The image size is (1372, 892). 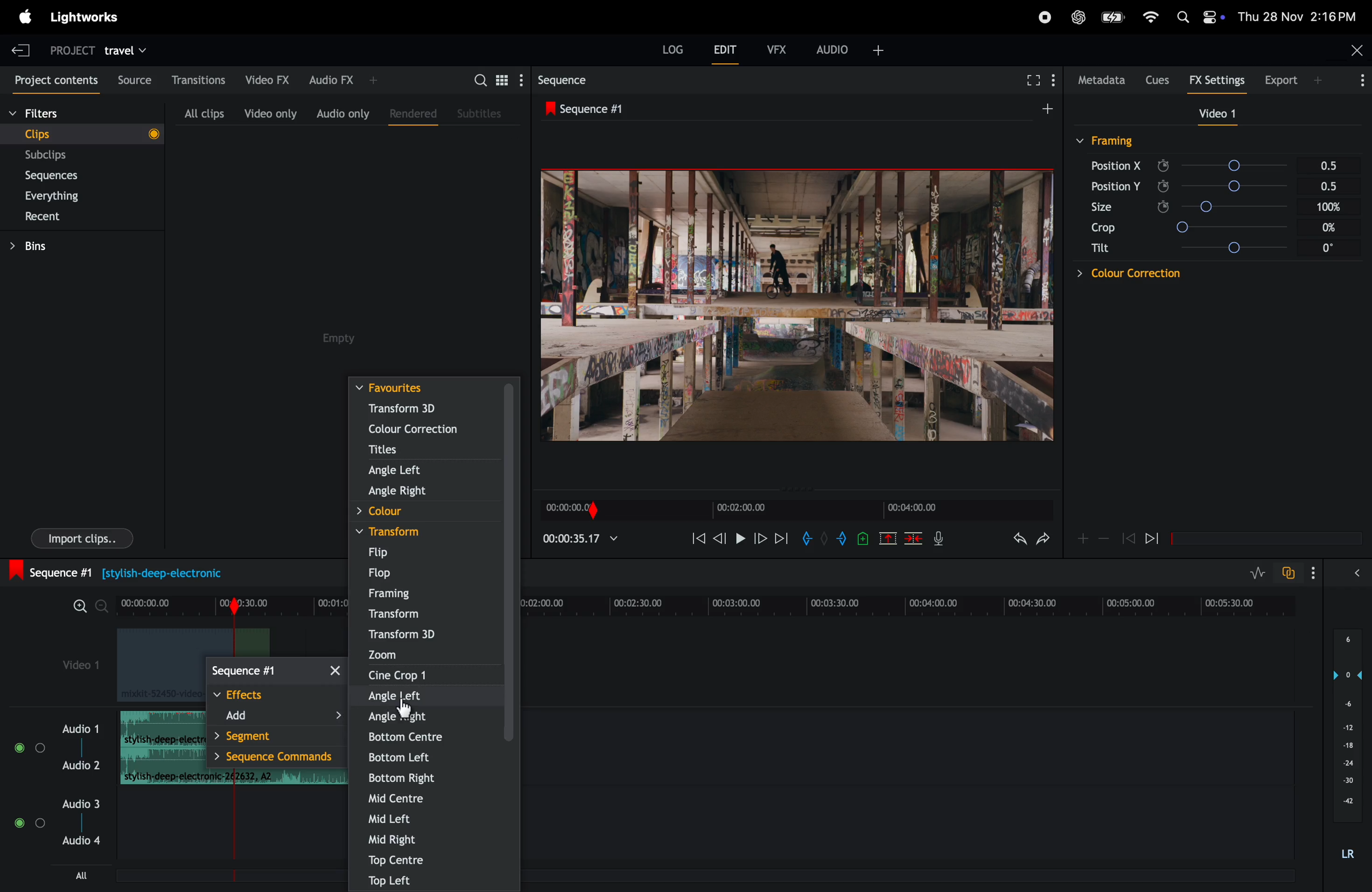 I want to click on back one frame, so click(x=721, y=537).